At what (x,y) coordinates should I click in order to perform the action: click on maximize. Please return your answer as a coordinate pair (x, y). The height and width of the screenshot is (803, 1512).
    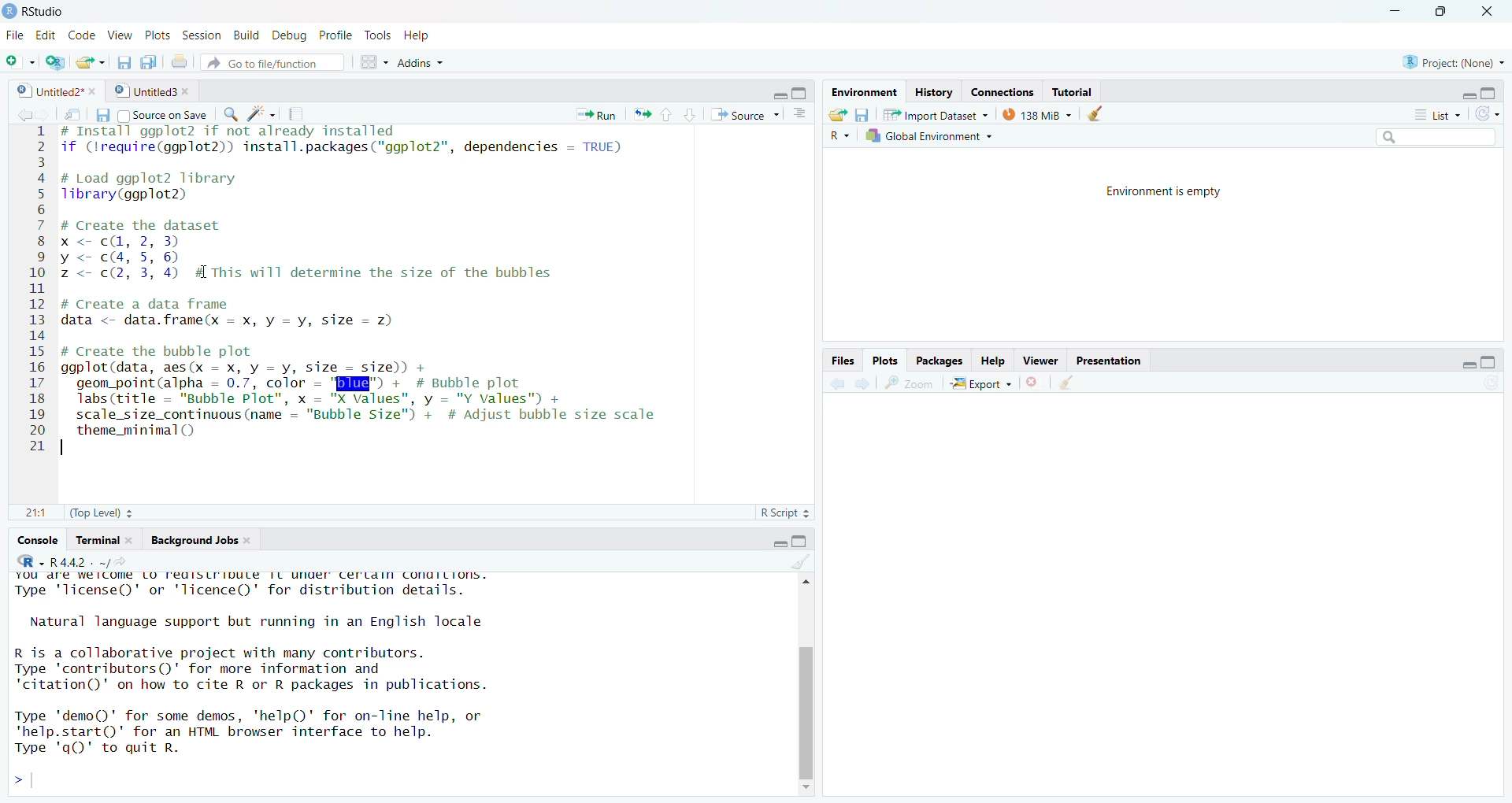
    Looking at the image, I should click on (1444, 16).